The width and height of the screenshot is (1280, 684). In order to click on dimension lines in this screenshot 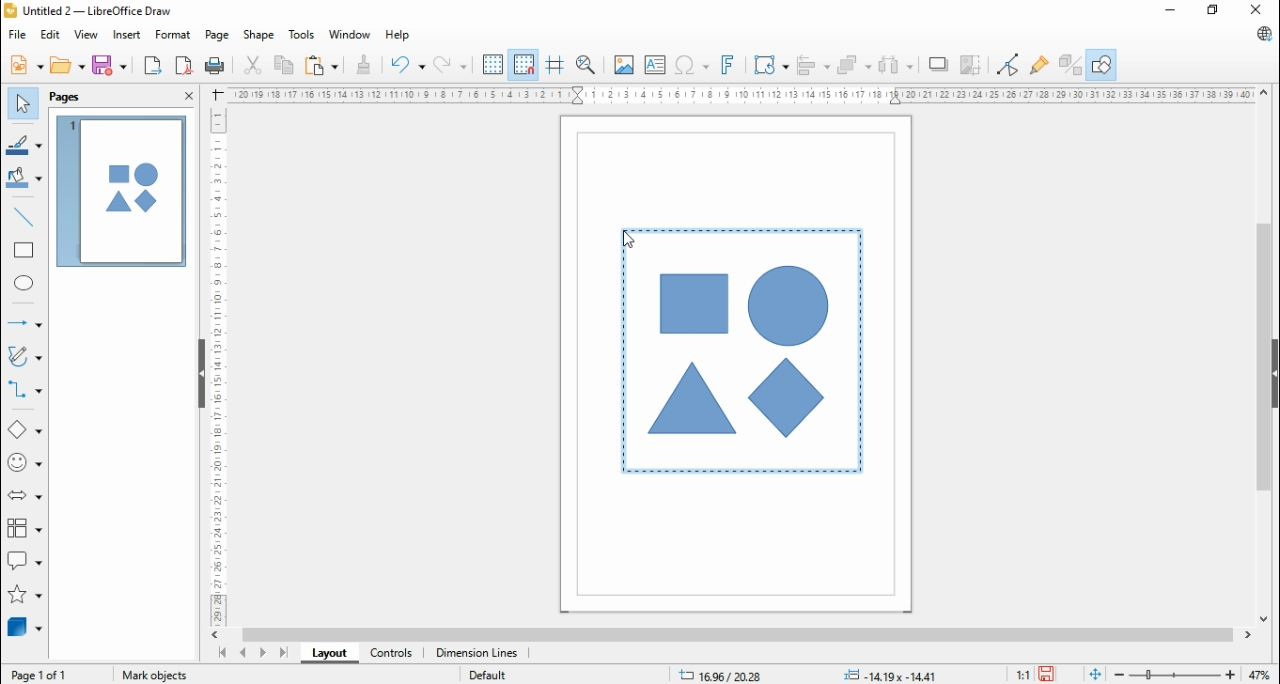, I will do `click(476, 654)`.